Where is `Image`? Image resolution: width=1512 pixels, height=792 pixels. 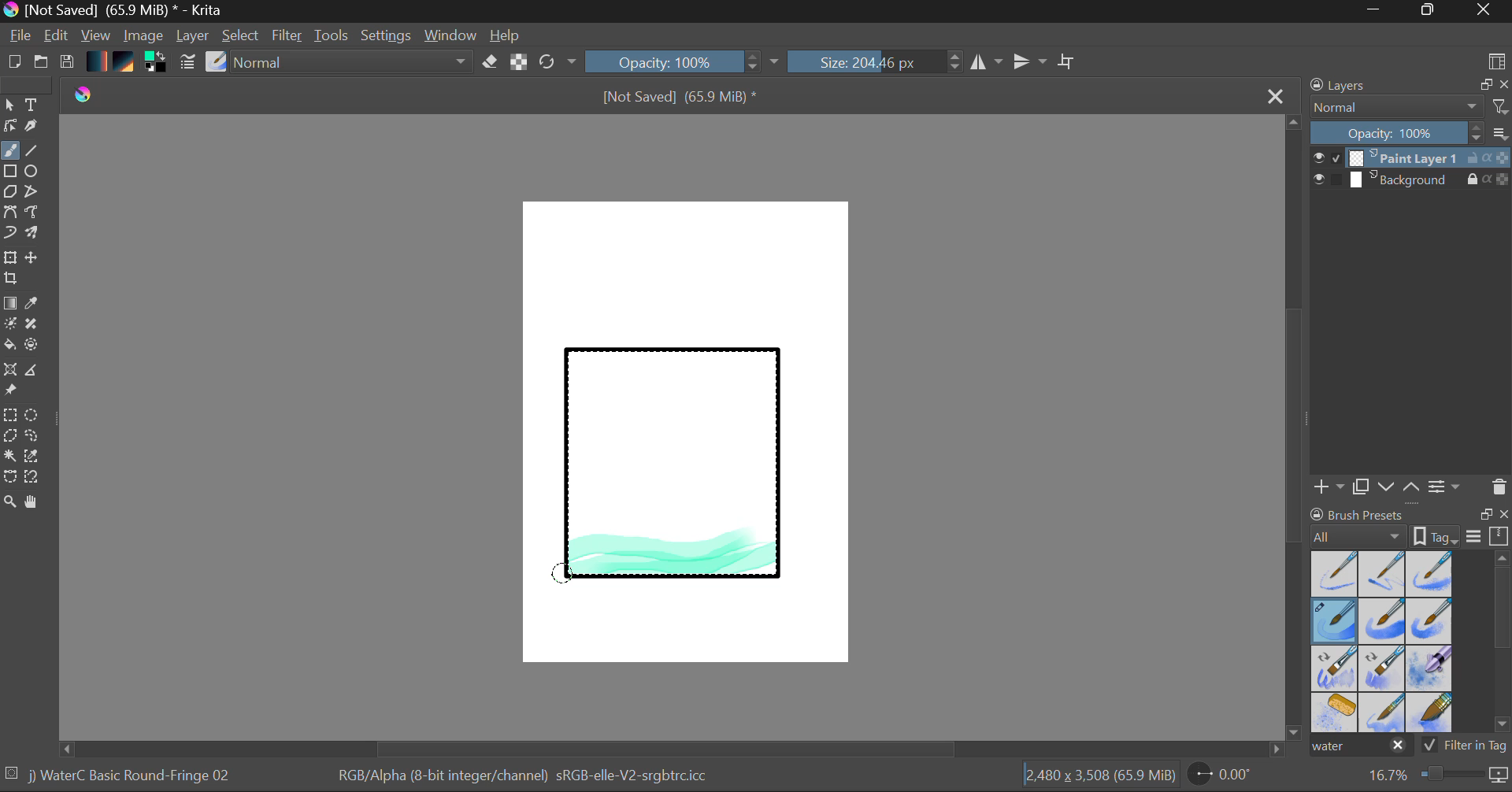 Image is located at coordinates (145, 37).